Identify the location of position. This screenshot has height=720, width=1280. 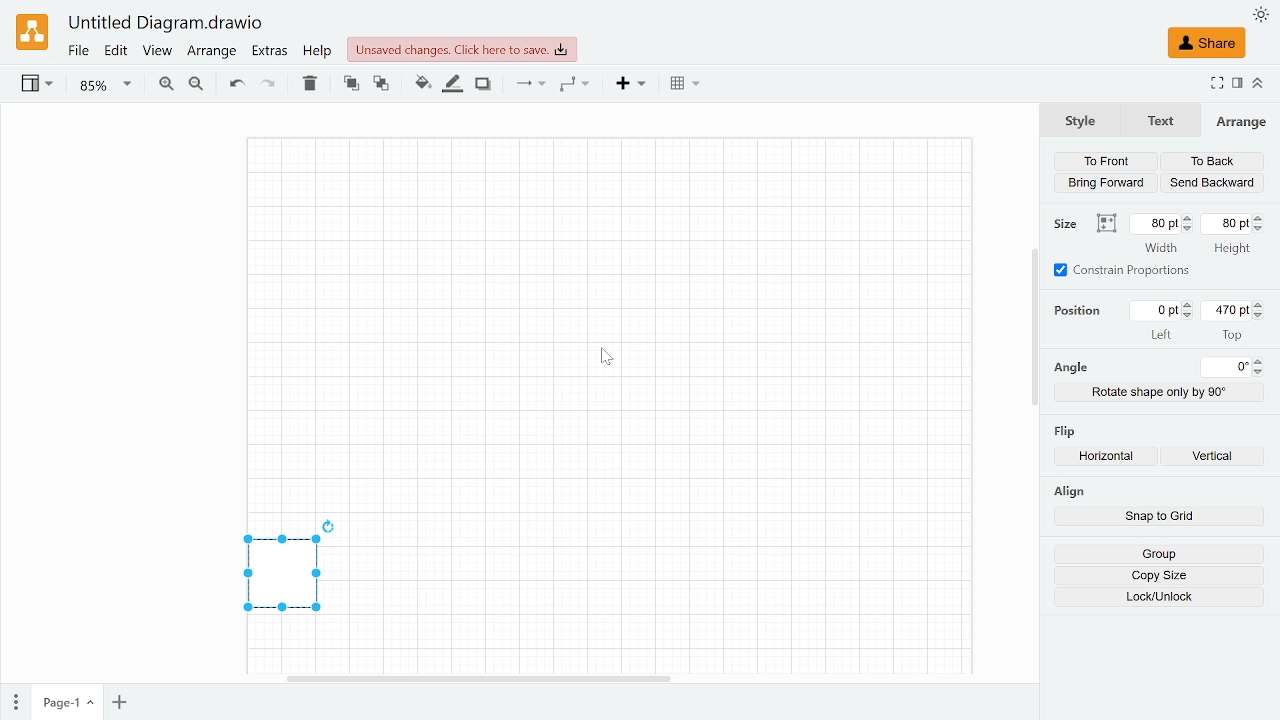
(1082, 310).